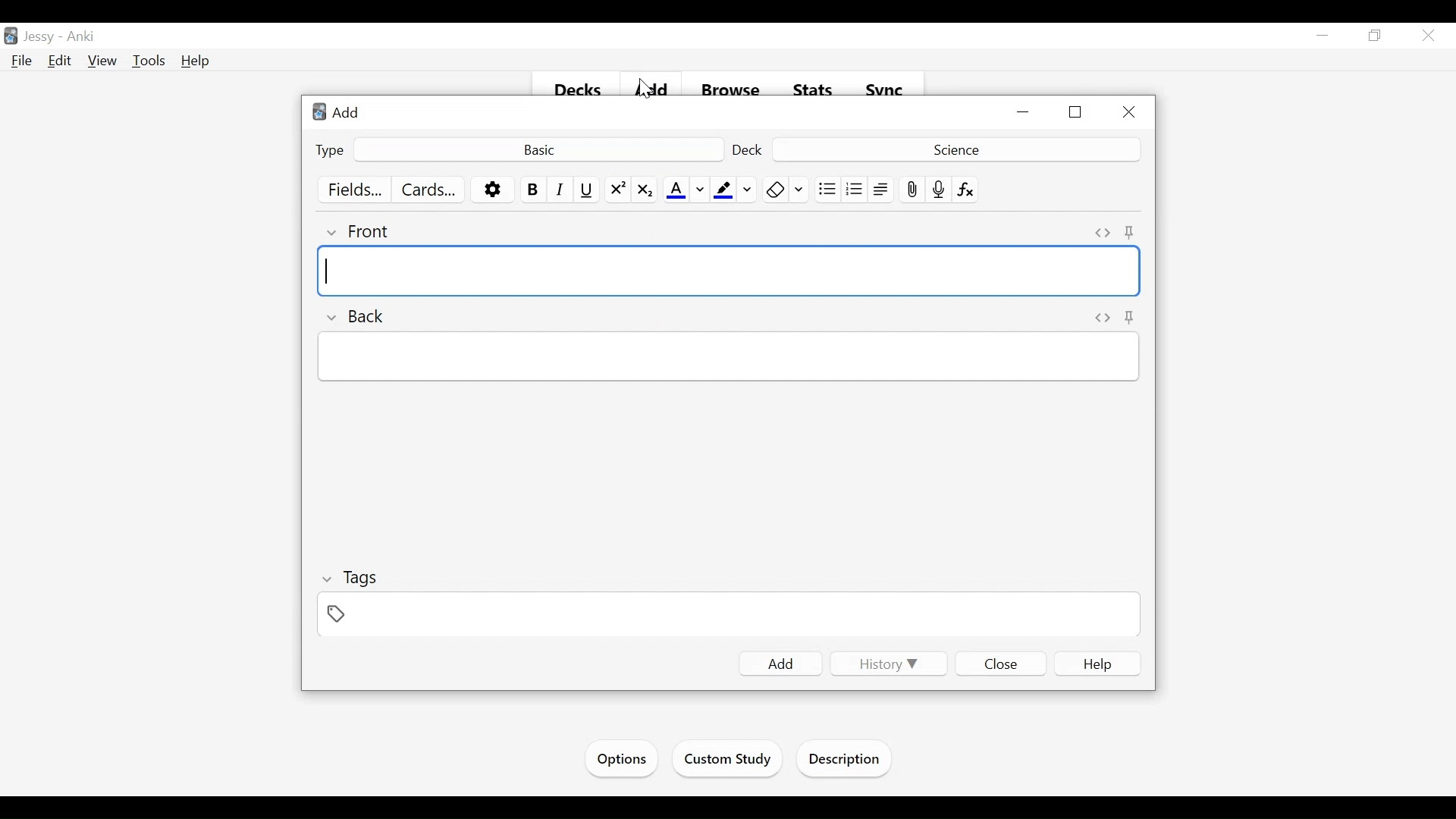  What do you see at coordinates (588, 190) in the screenshot?
I see `Underline` at bounding box center [588, 190].